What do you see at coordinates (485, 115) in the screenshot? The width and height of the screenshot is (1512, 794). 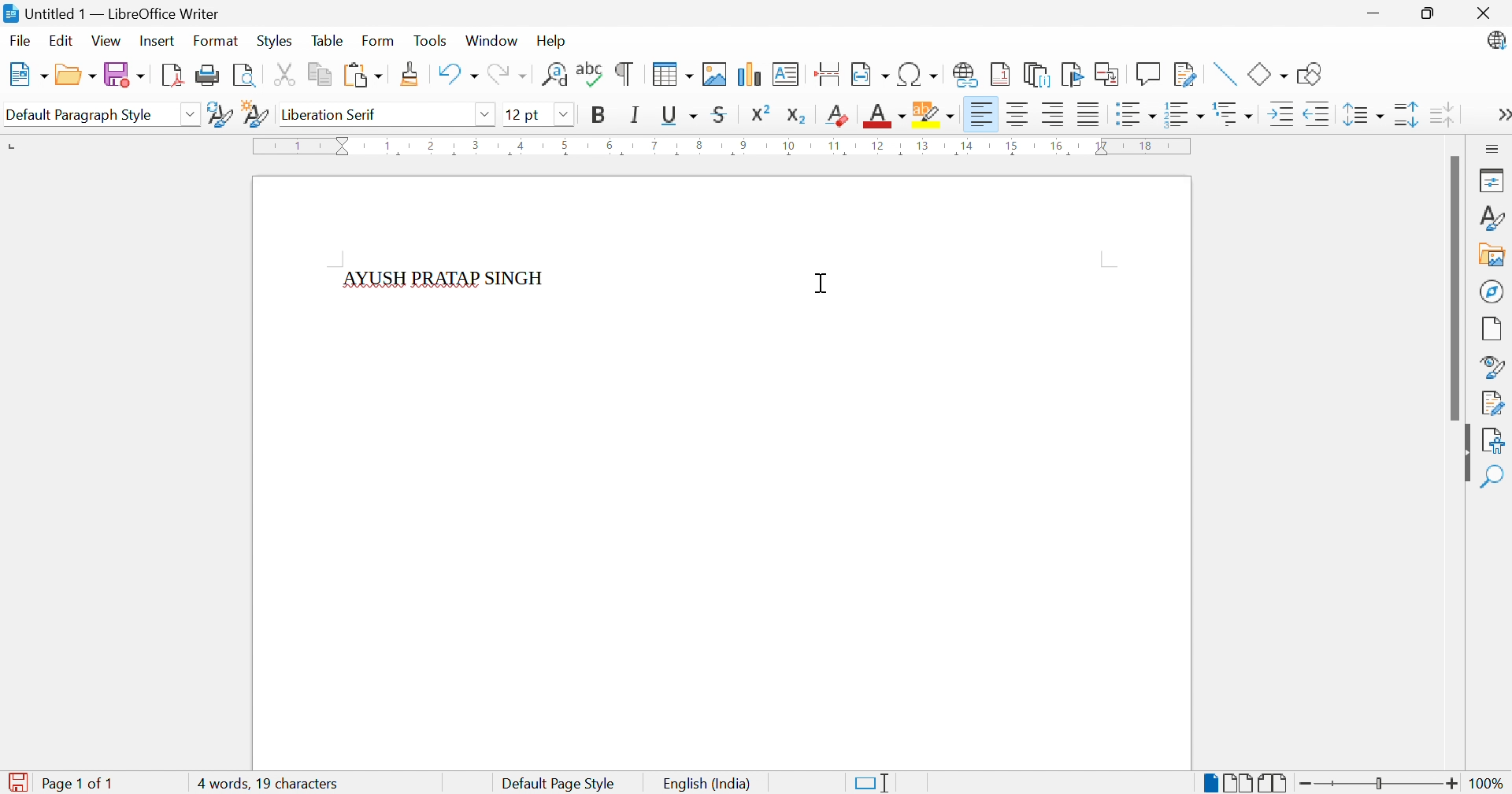 I see `Drop Down` at bounding box center [485, 115].